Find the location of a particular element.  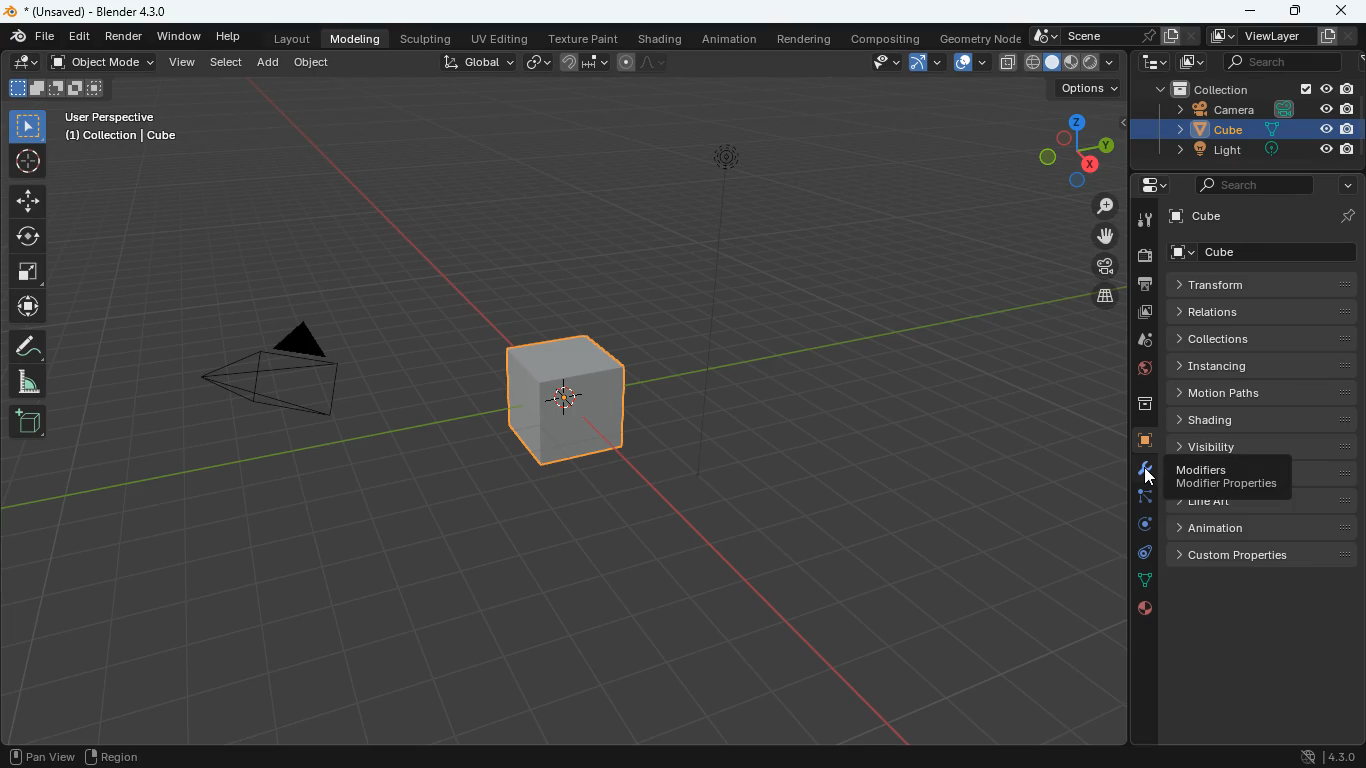

help is located at coordinates (227, 38).